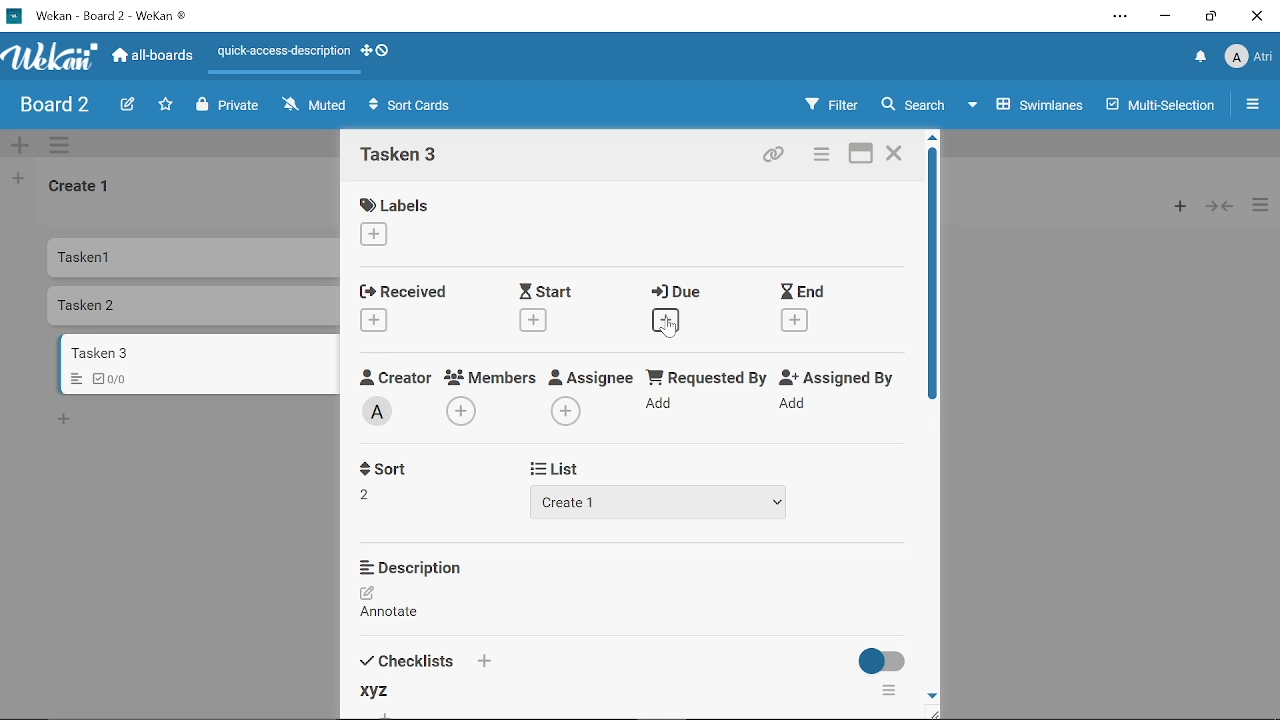  I want to click on Open /close sidebar, so click(1252, 106).